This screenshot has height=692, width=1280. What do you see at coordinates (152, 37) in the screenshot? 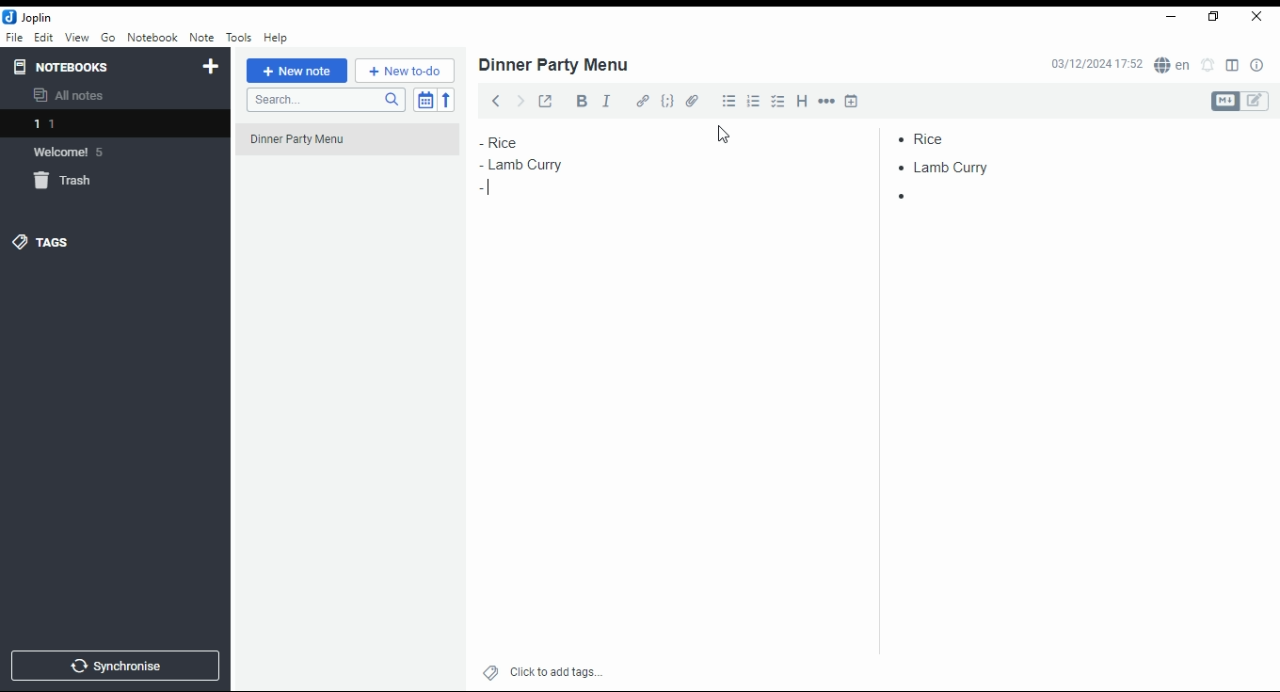
I see `notebook` at bounding box center [152, 37].